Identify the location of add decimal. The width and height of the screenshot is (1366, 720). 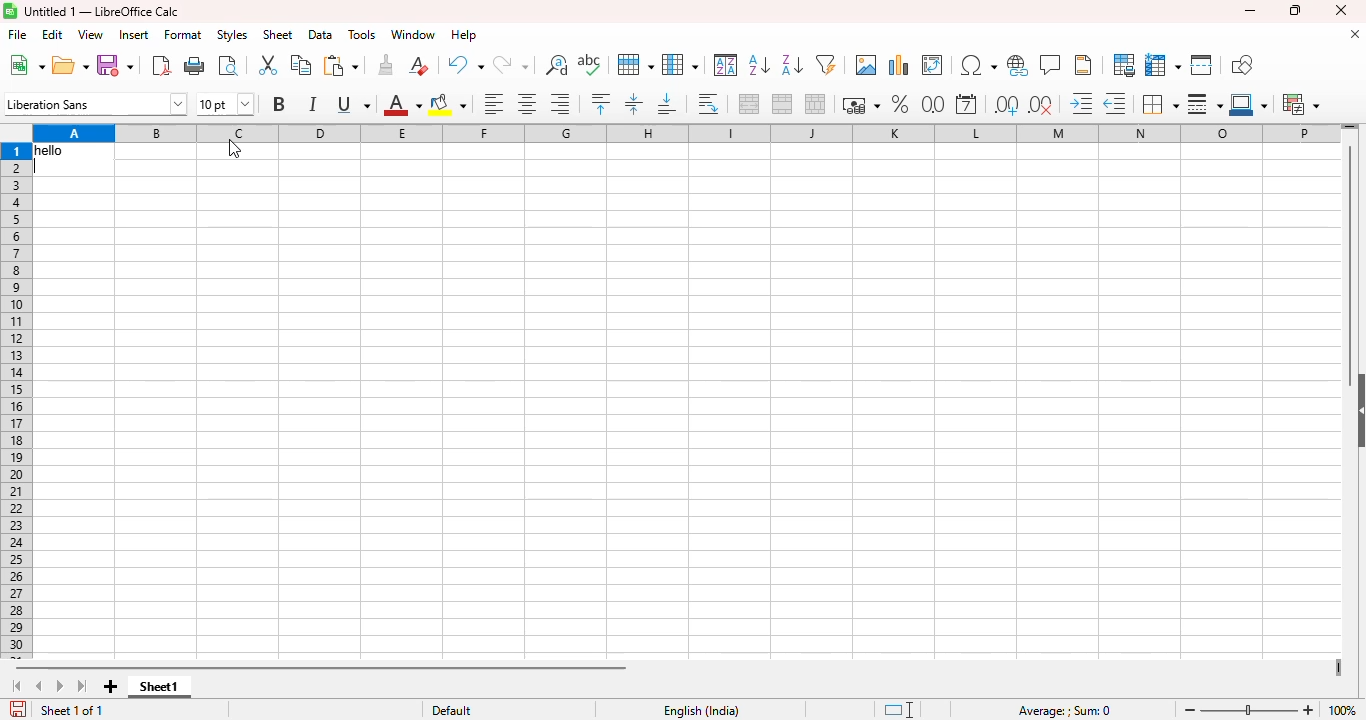
(1007, 105).